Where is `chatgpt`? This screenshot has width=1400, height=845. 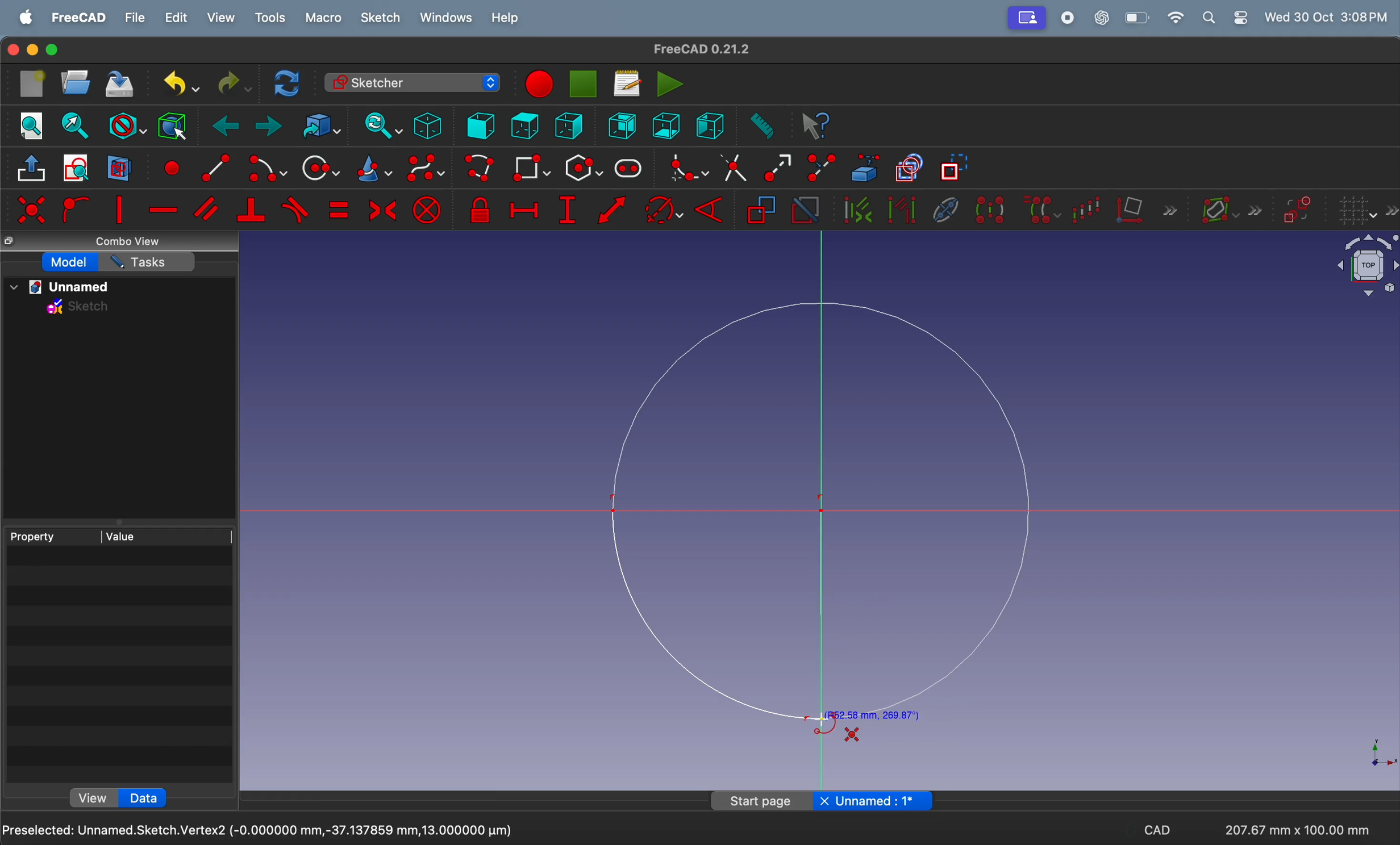
chatgpt is located at coordinates (1103, 17).